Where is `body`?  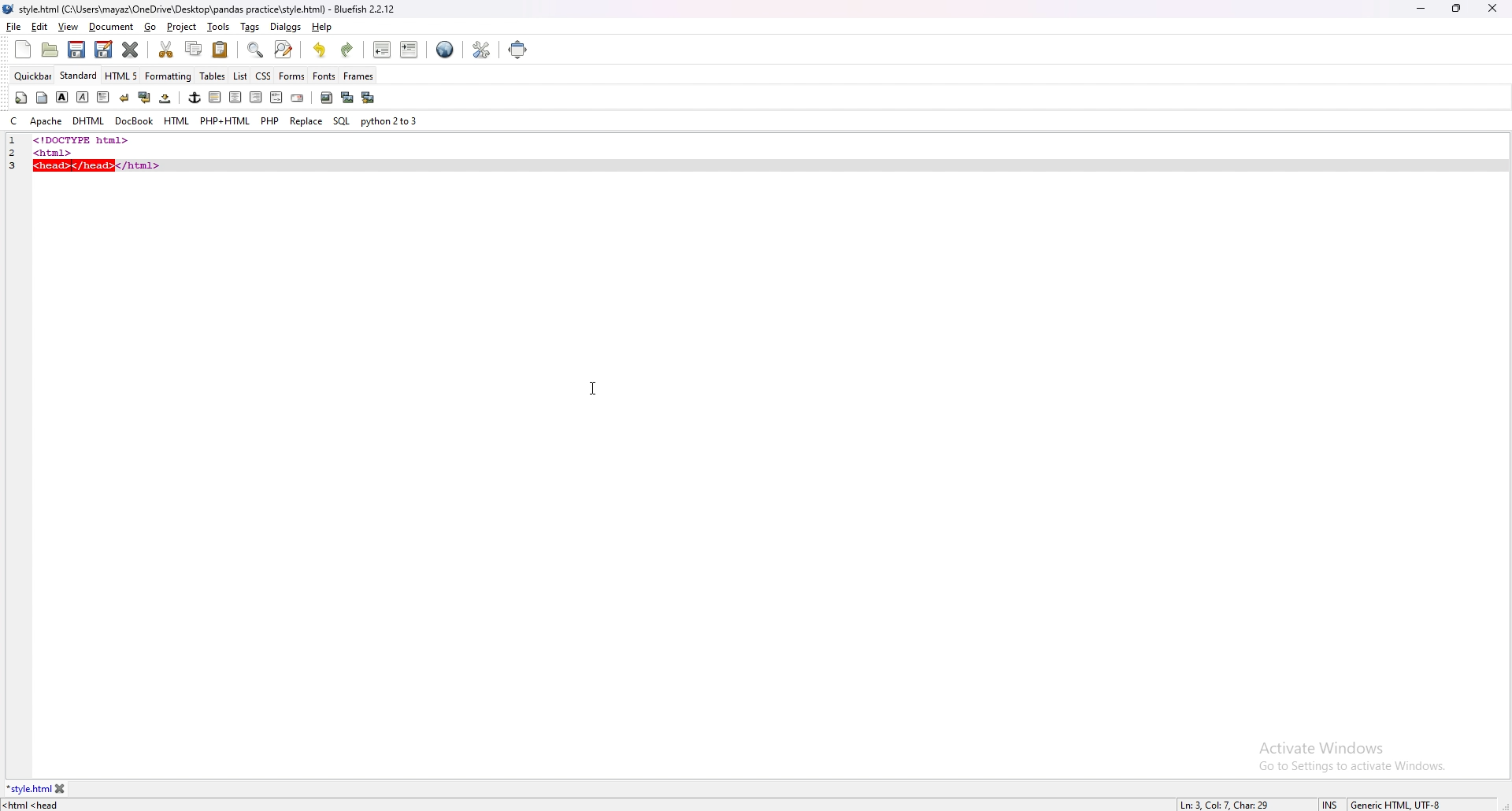 body is located at coordinates (43, 96).